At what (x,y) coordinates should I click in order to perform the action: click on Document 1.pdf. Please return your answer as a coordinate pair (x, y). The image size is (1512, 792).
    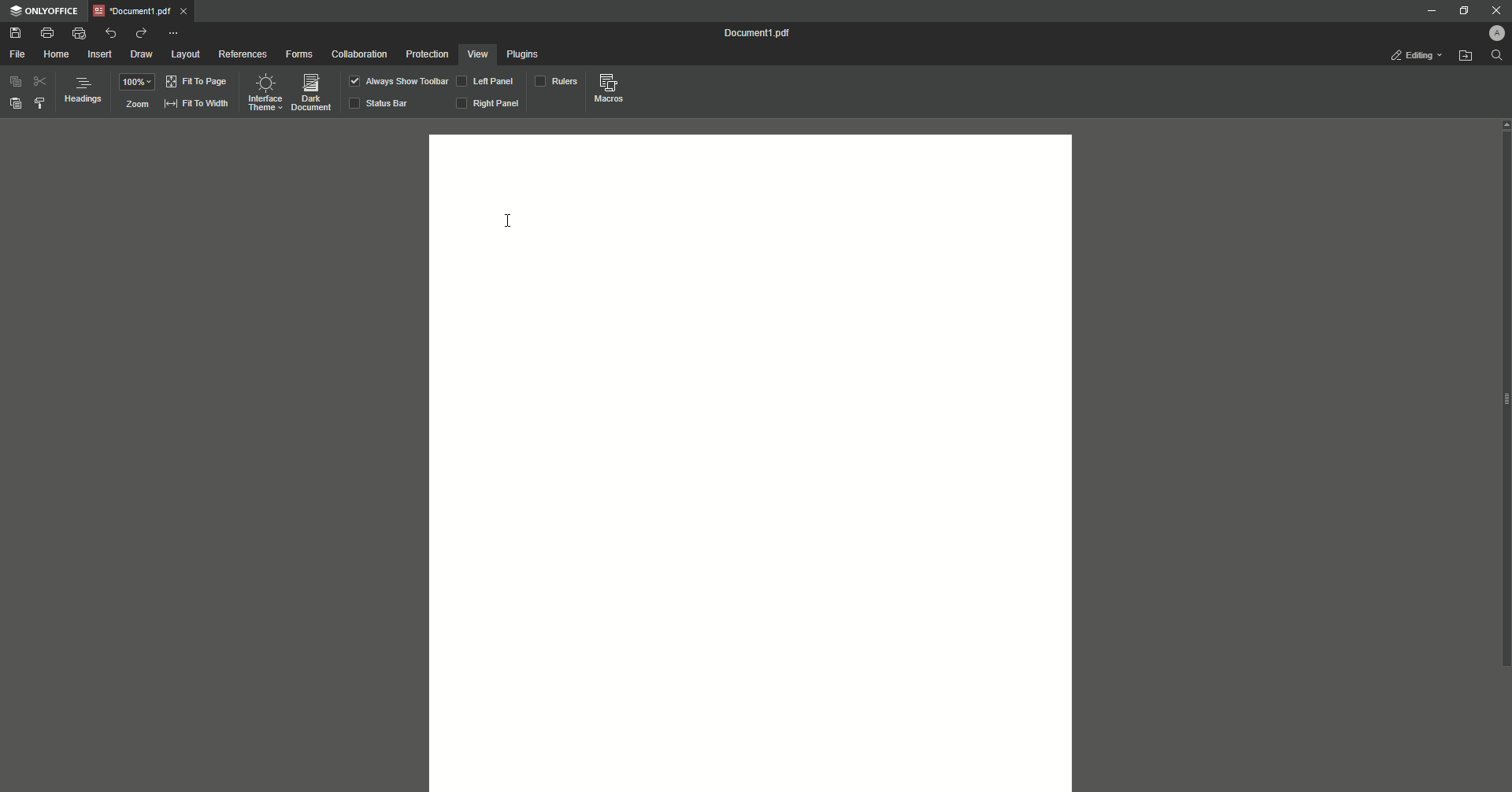
    Looking at the image, I should click on (750, 34).